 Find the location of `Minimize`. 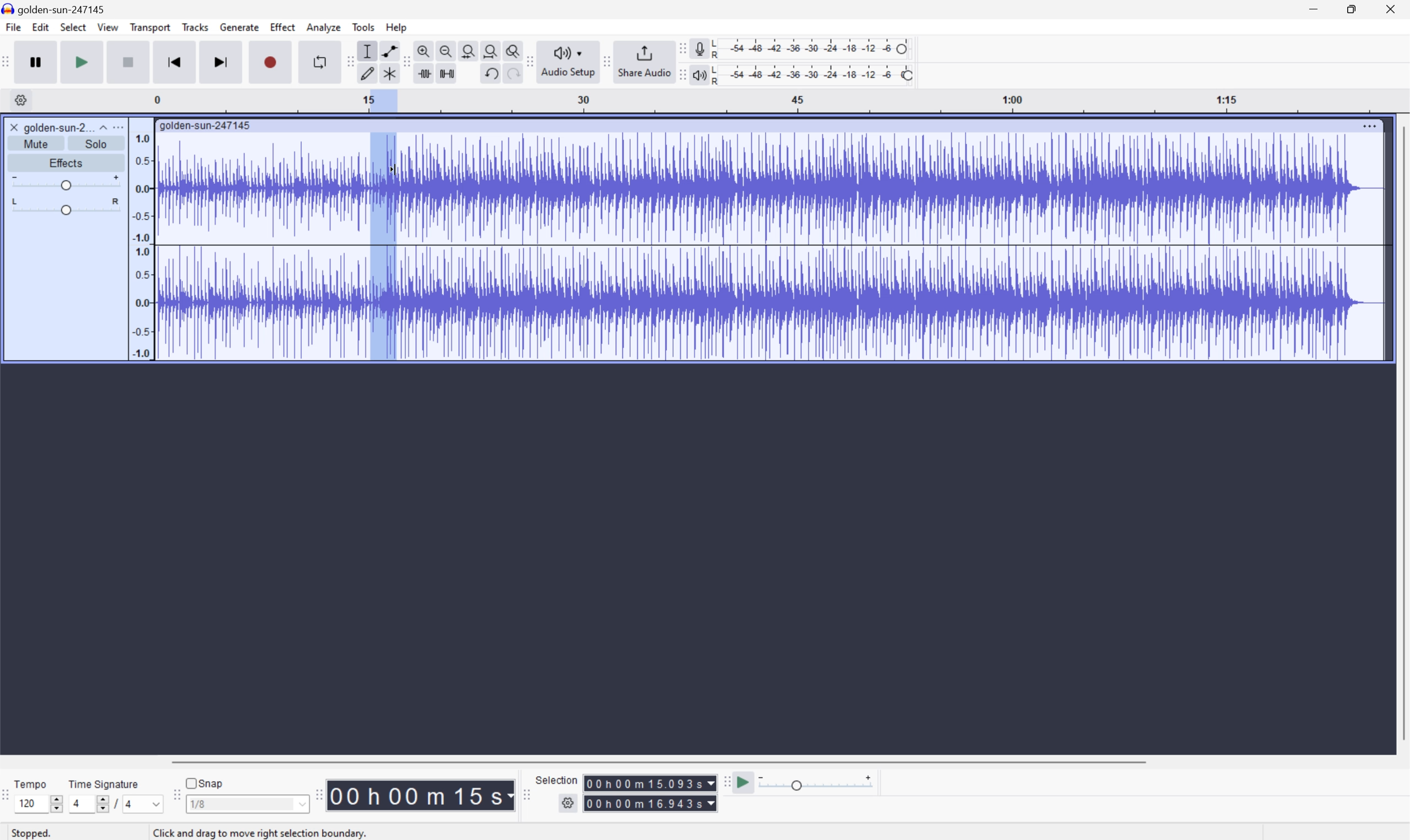

Minimize is located at coordinates (1312, 8).